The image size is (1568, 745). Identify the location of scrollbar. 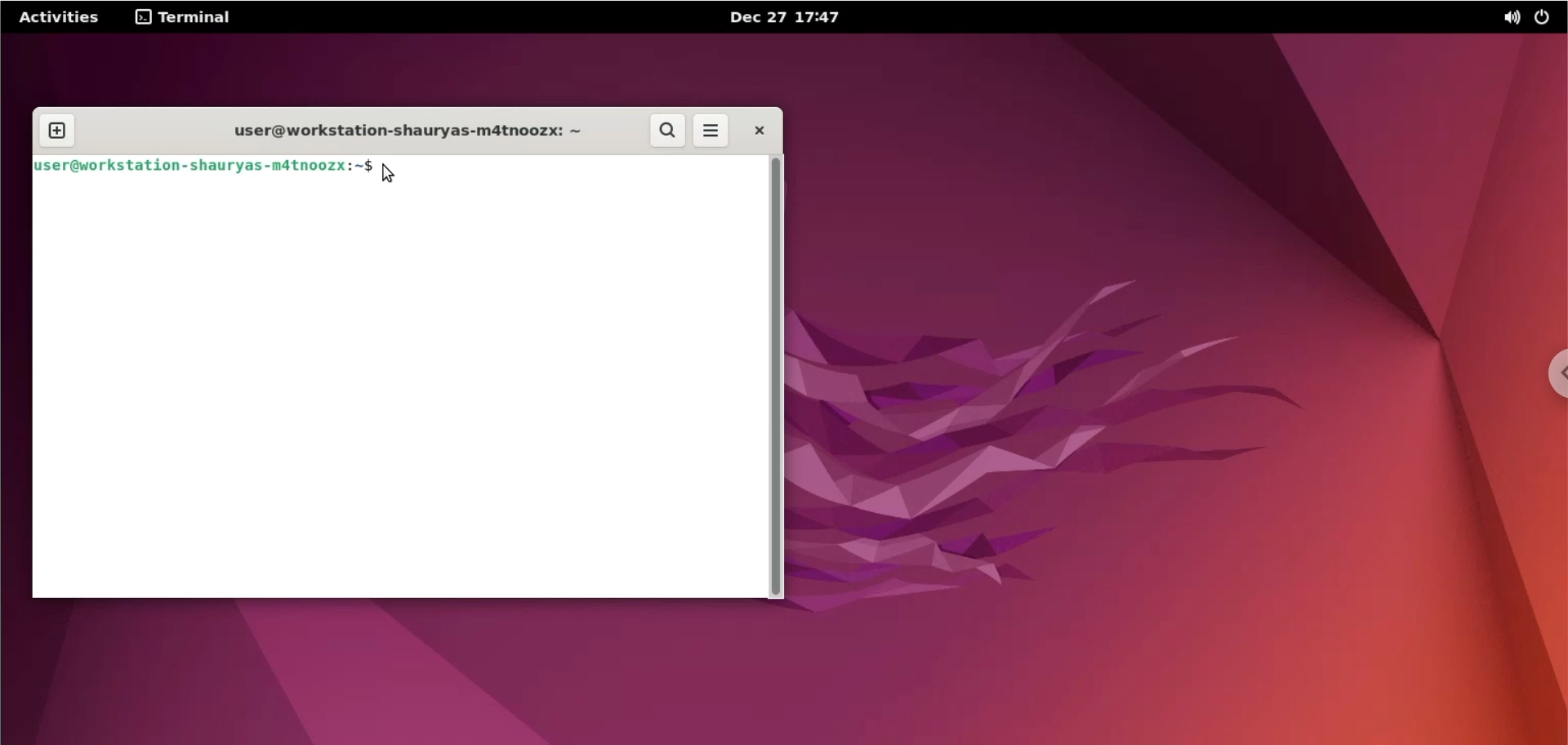
(778, 377).